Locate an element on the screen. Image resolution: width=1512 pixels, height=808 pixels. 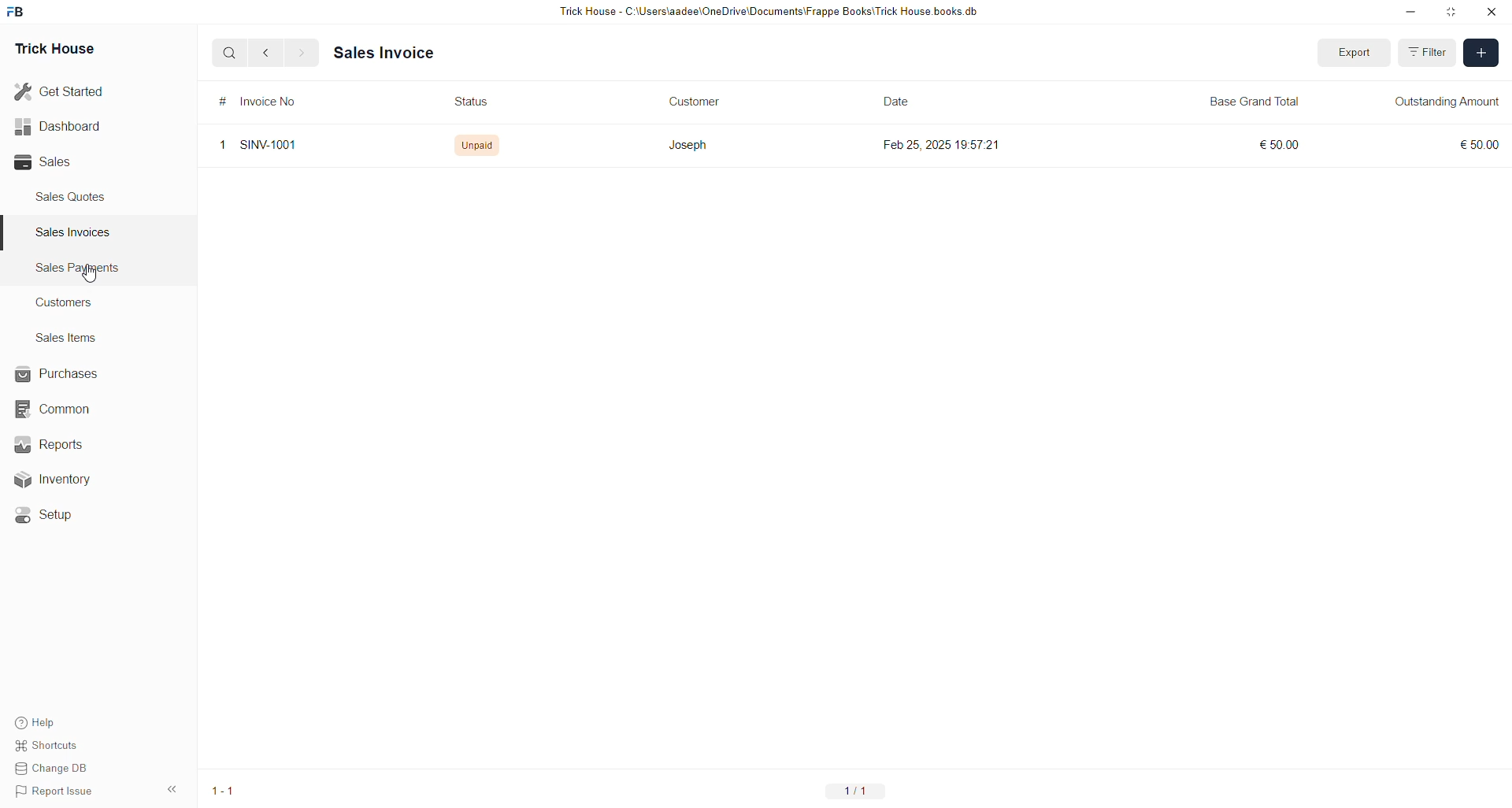
Change DB is located at coordinates (57, 767).